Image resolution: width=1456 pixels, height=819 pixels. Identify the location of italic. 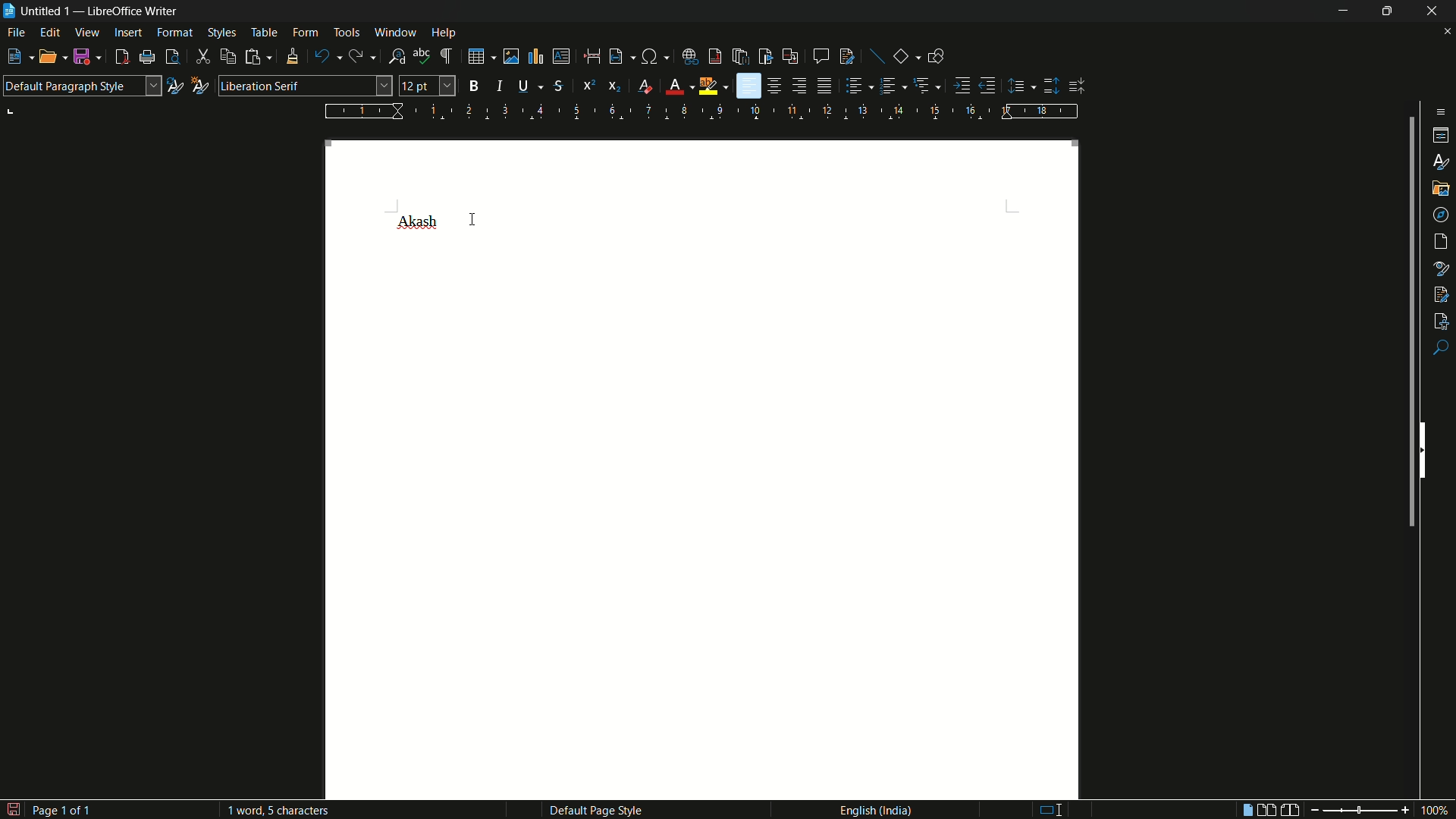
(504, 86).